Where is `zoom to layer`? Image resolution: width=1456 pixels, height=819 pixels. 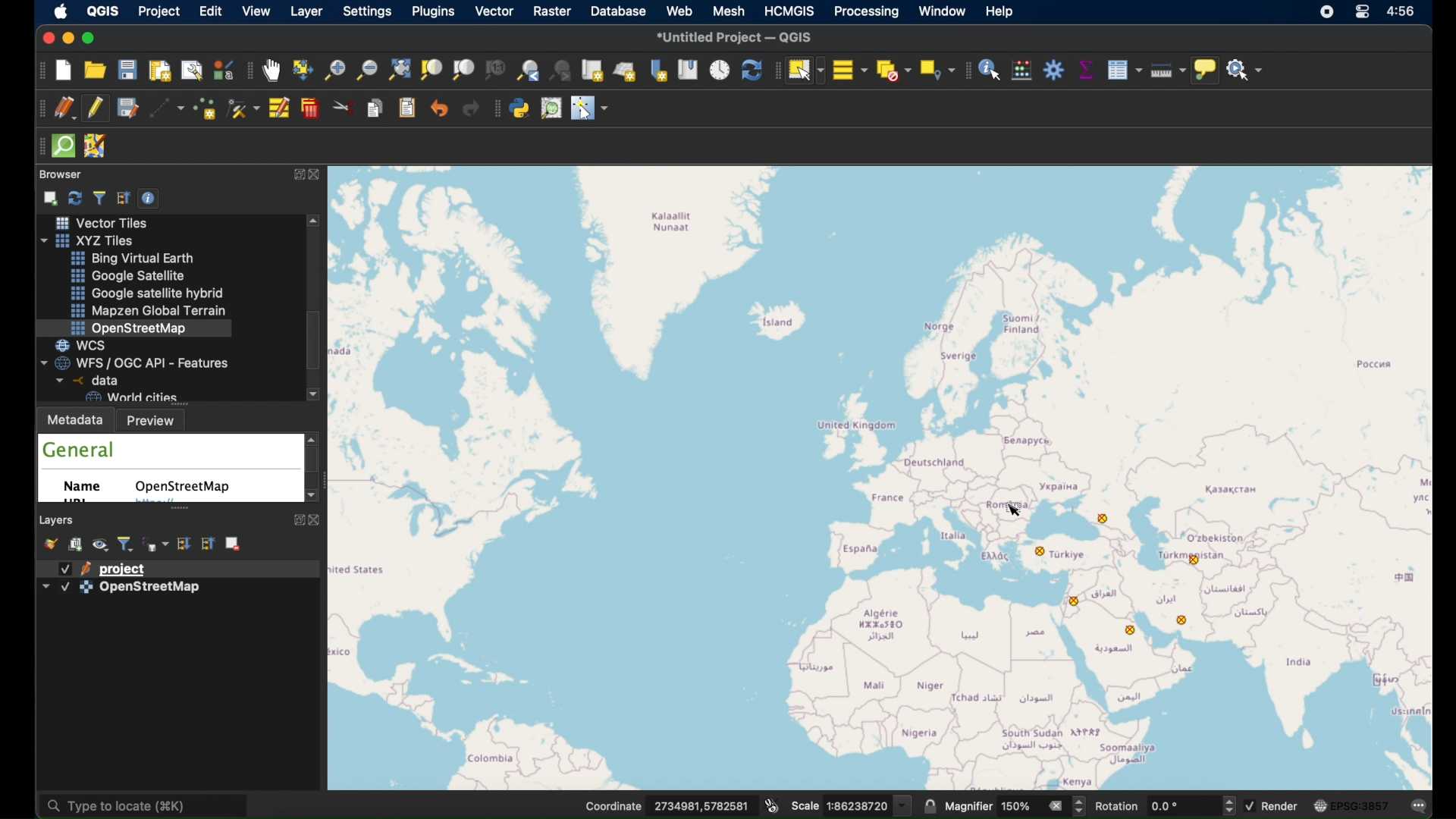 zoom to layer is located at coordinates (463, 71).